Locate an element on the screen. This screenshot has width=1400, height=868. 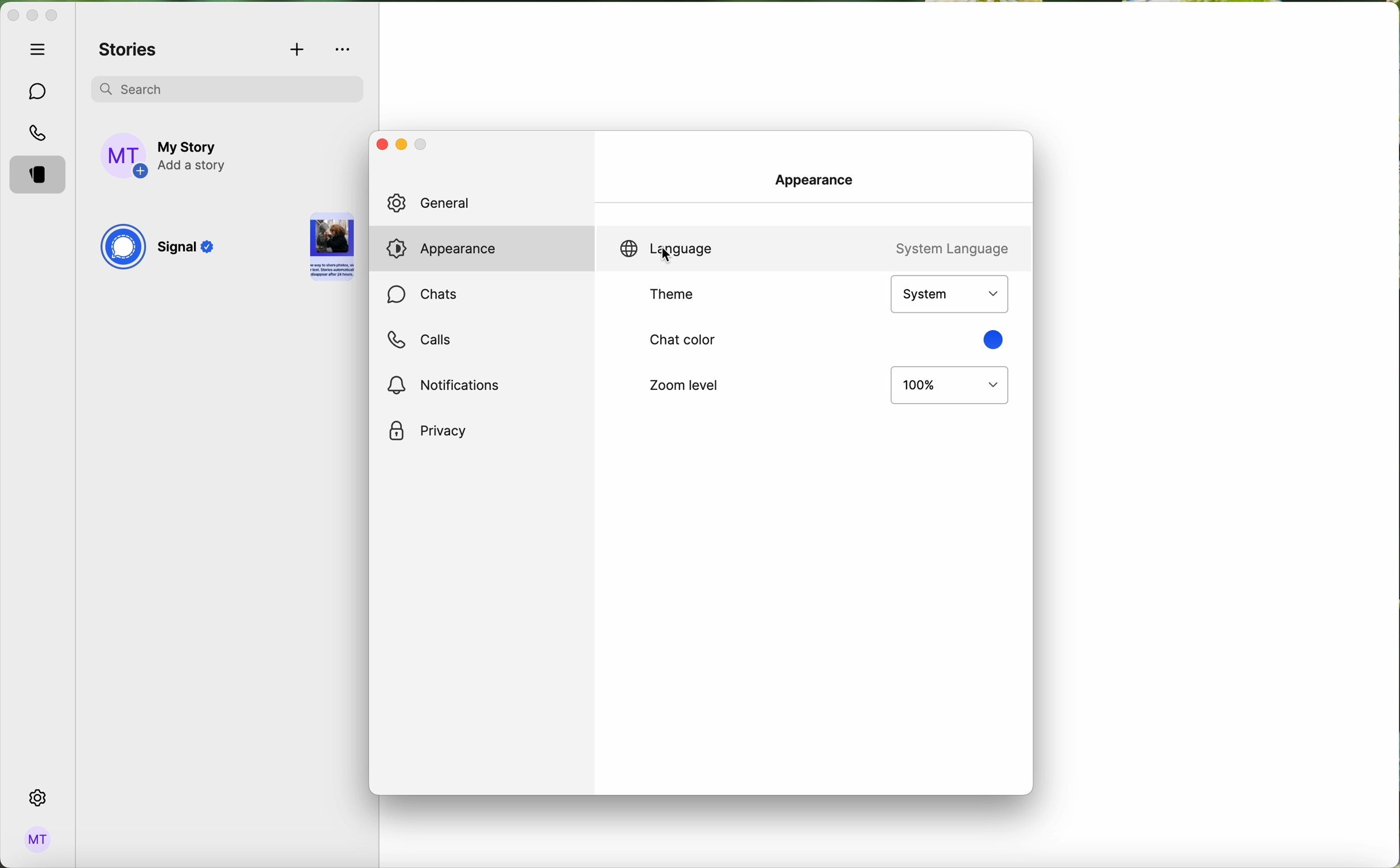
Signal is located at coordinates (189, 250).